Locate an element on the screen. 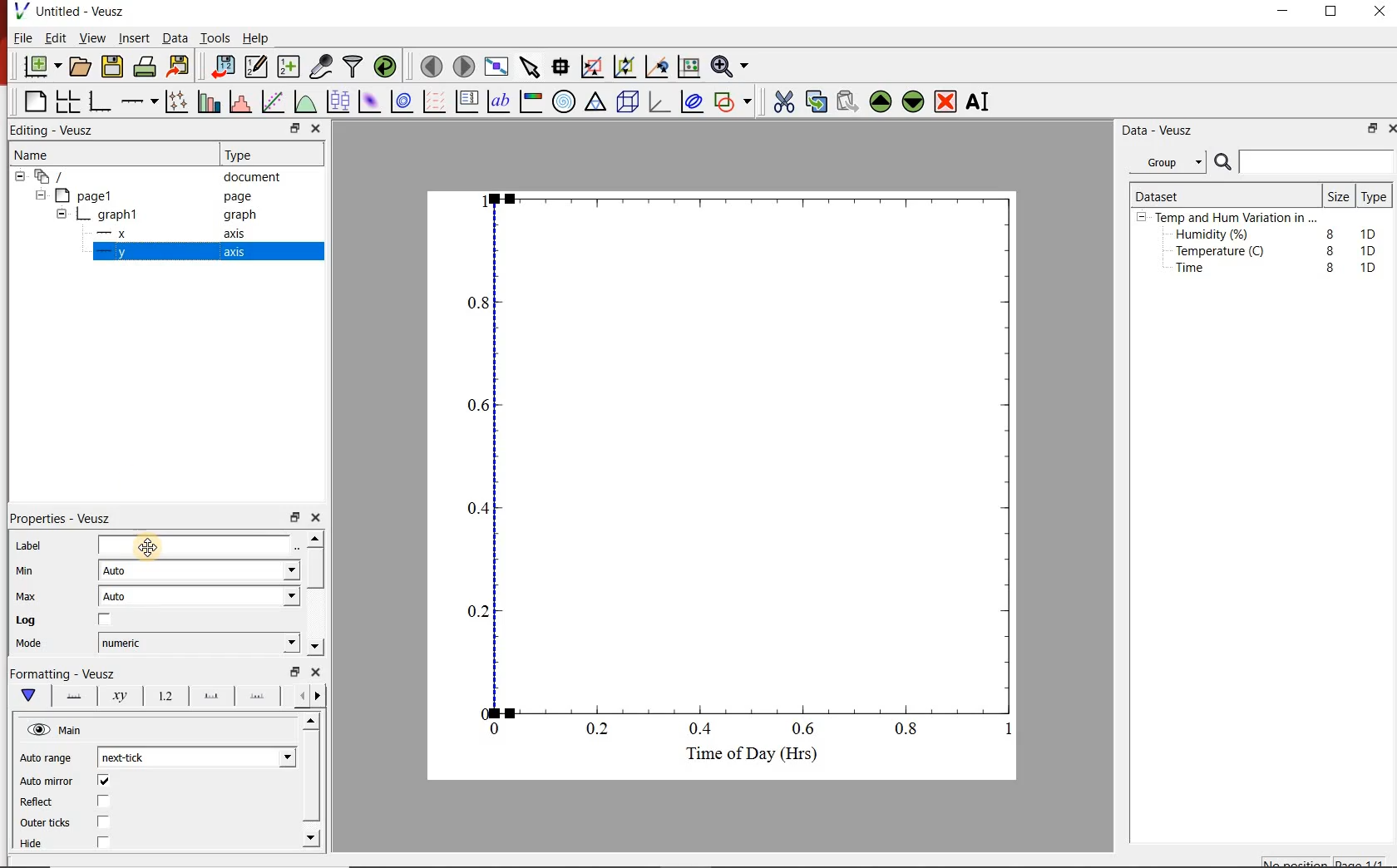 This screenshot has height=868, width=1397. histogram of a dataset is located at coordinates (243, 101).